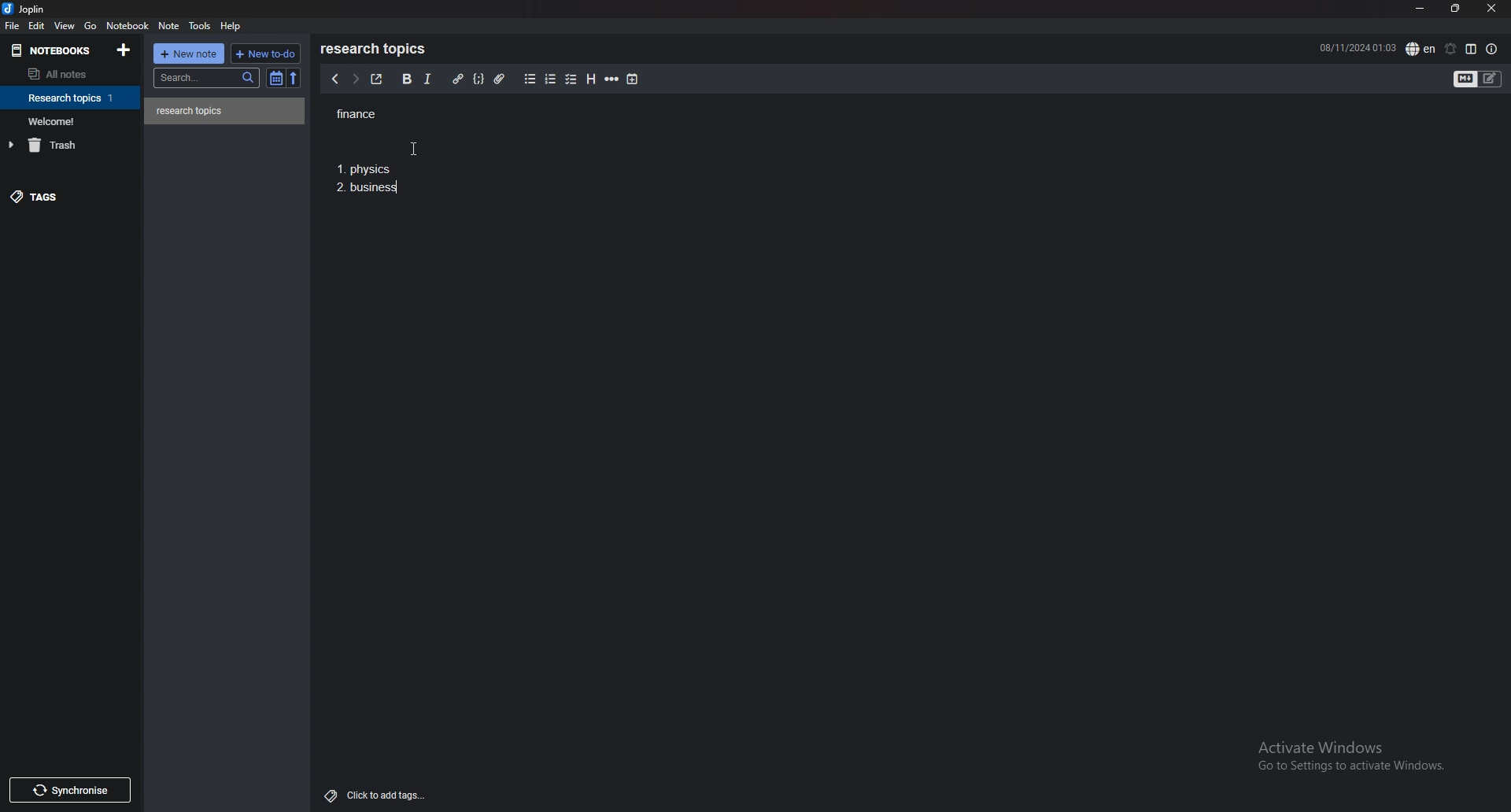 The image size is (1511, 812). I want to click on reverse sort order, so click(293, 78).